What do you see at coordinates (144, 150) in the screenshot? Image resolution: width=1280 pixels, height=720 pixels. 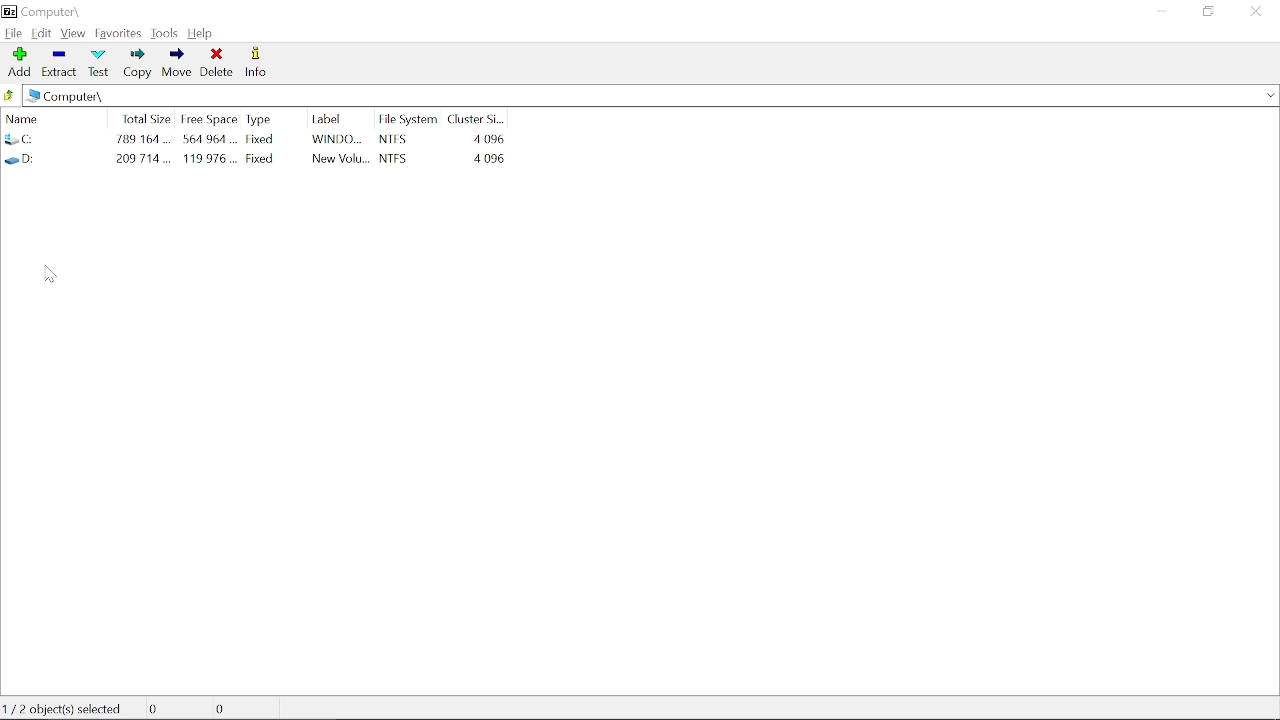 I see `789164 ...209714...` at bounding box center [144, 150].